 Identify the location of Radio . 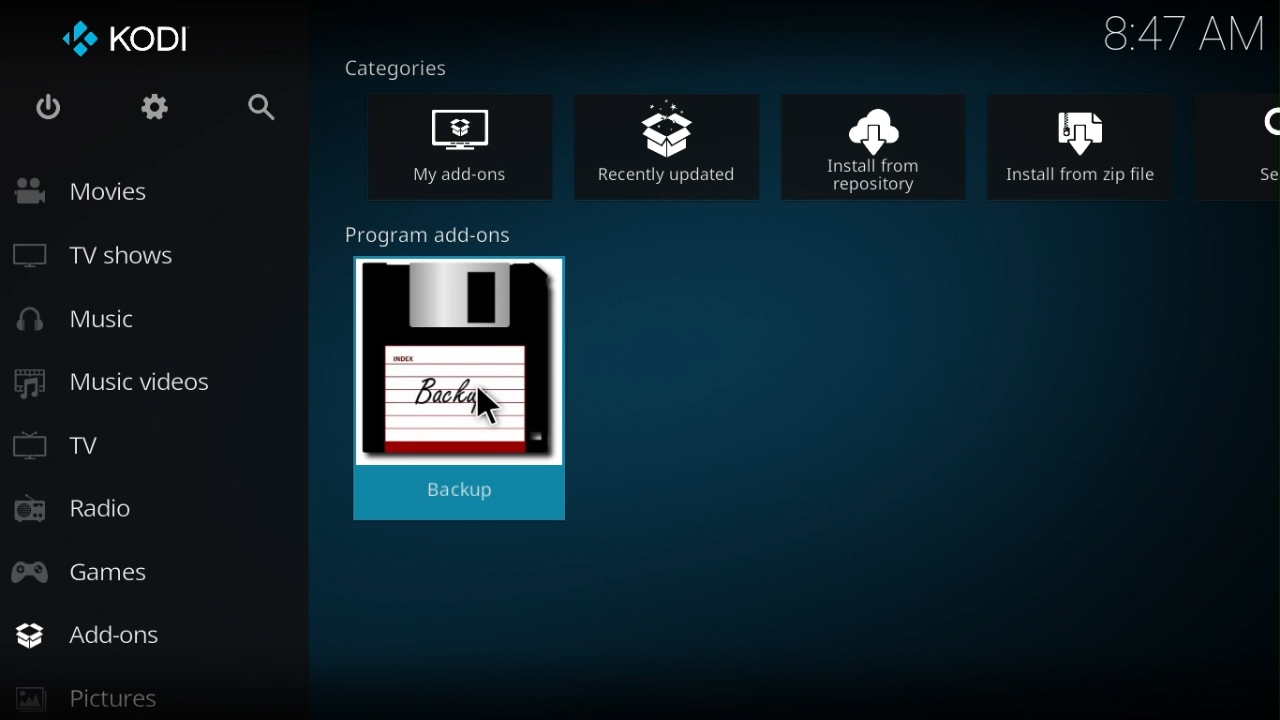
(81, 512).